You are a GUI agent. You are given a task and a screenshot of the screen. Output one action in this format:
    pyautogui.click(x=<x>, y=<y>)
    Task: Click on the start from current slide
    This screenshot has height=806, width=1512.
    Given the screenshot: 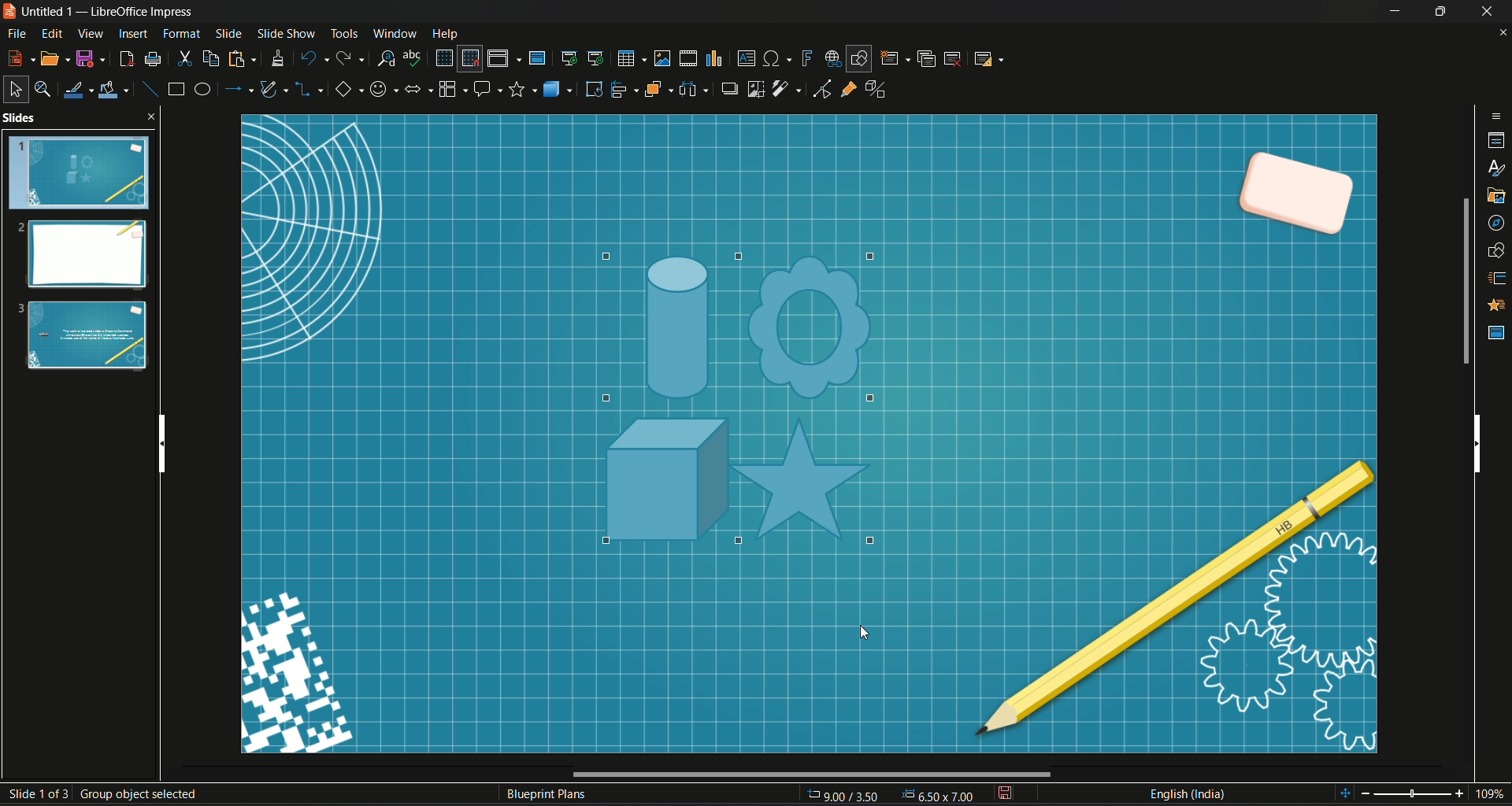 What is the action you would take?
    pyautogui.click(x=597, y=58)
    